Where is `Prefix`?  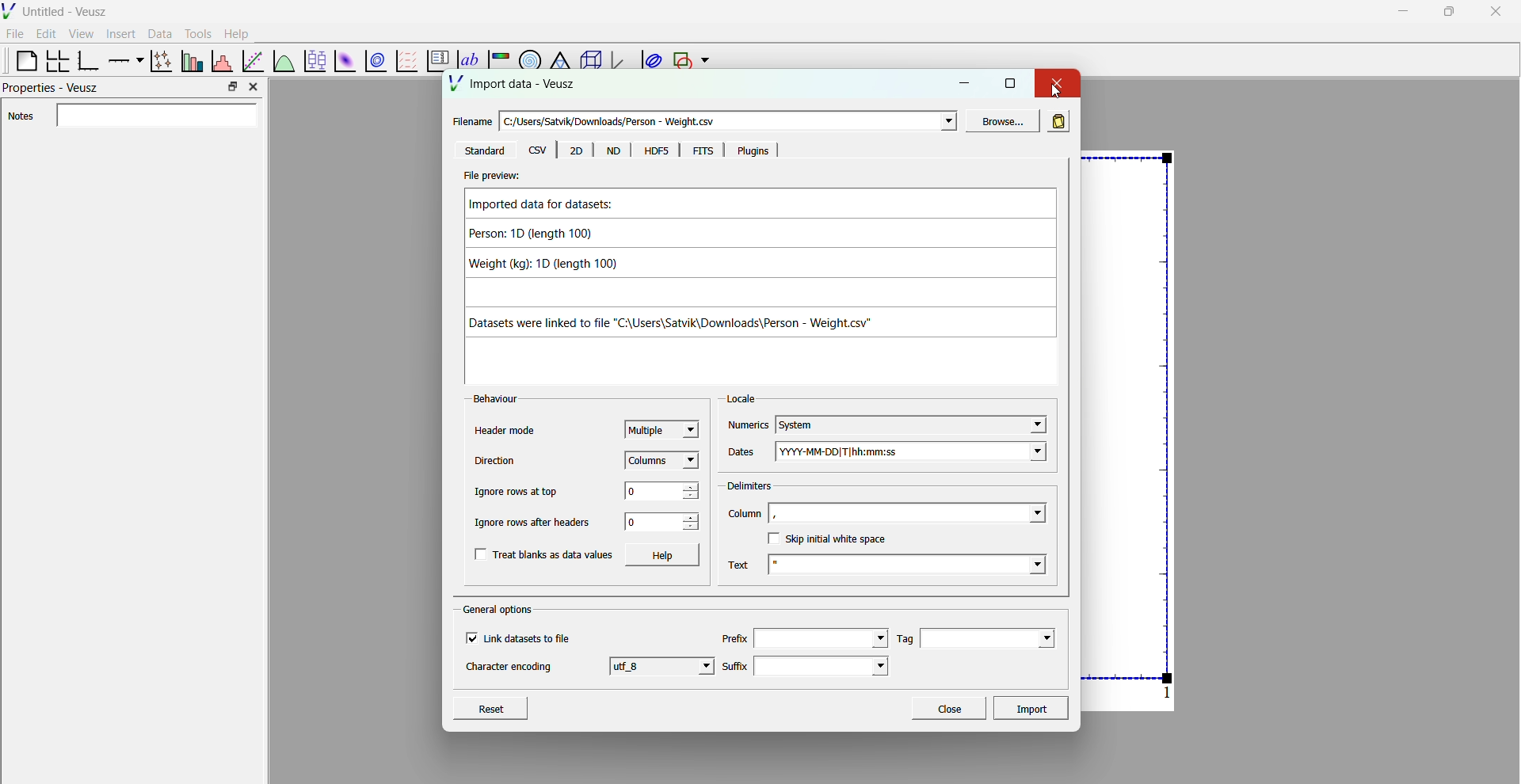
Prefix is located at coordinates (734, 634).